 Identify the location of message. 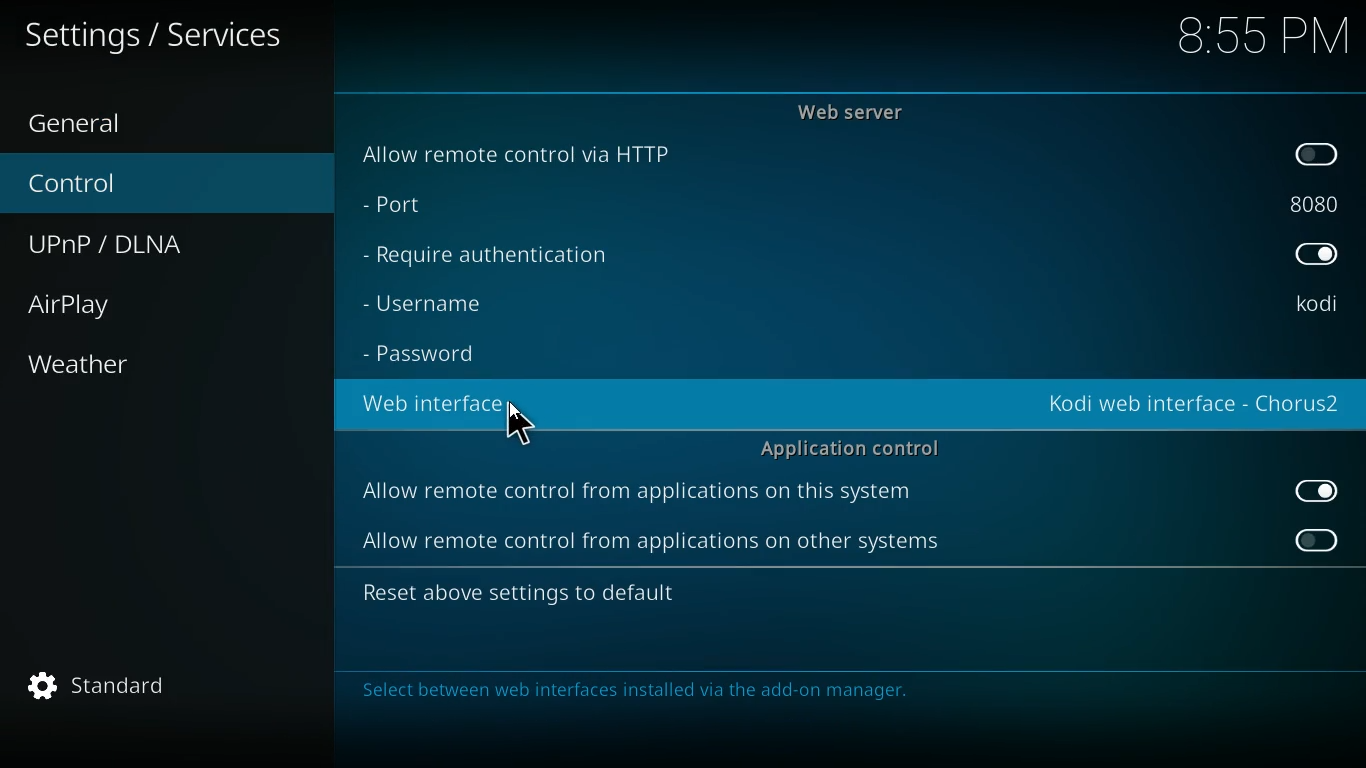
(842, 693).